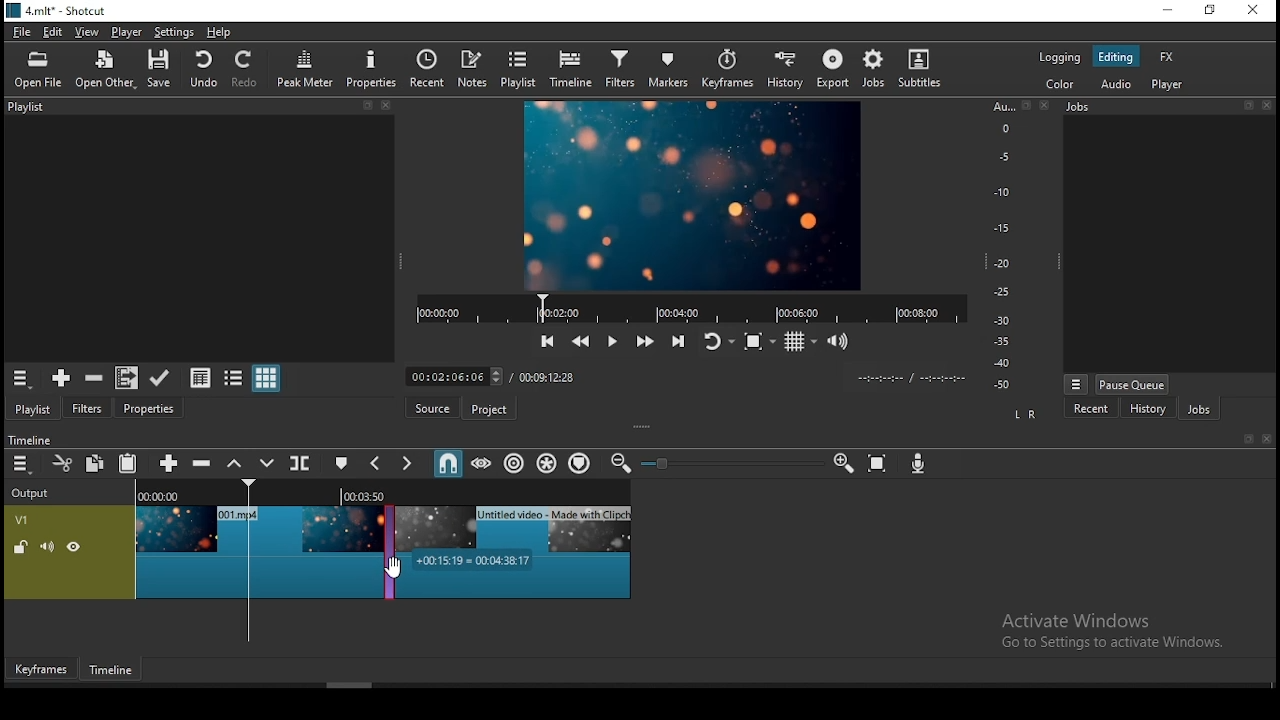  Describe the element at coordinates (787, 69) in the screenshot. I see `history` at that location.